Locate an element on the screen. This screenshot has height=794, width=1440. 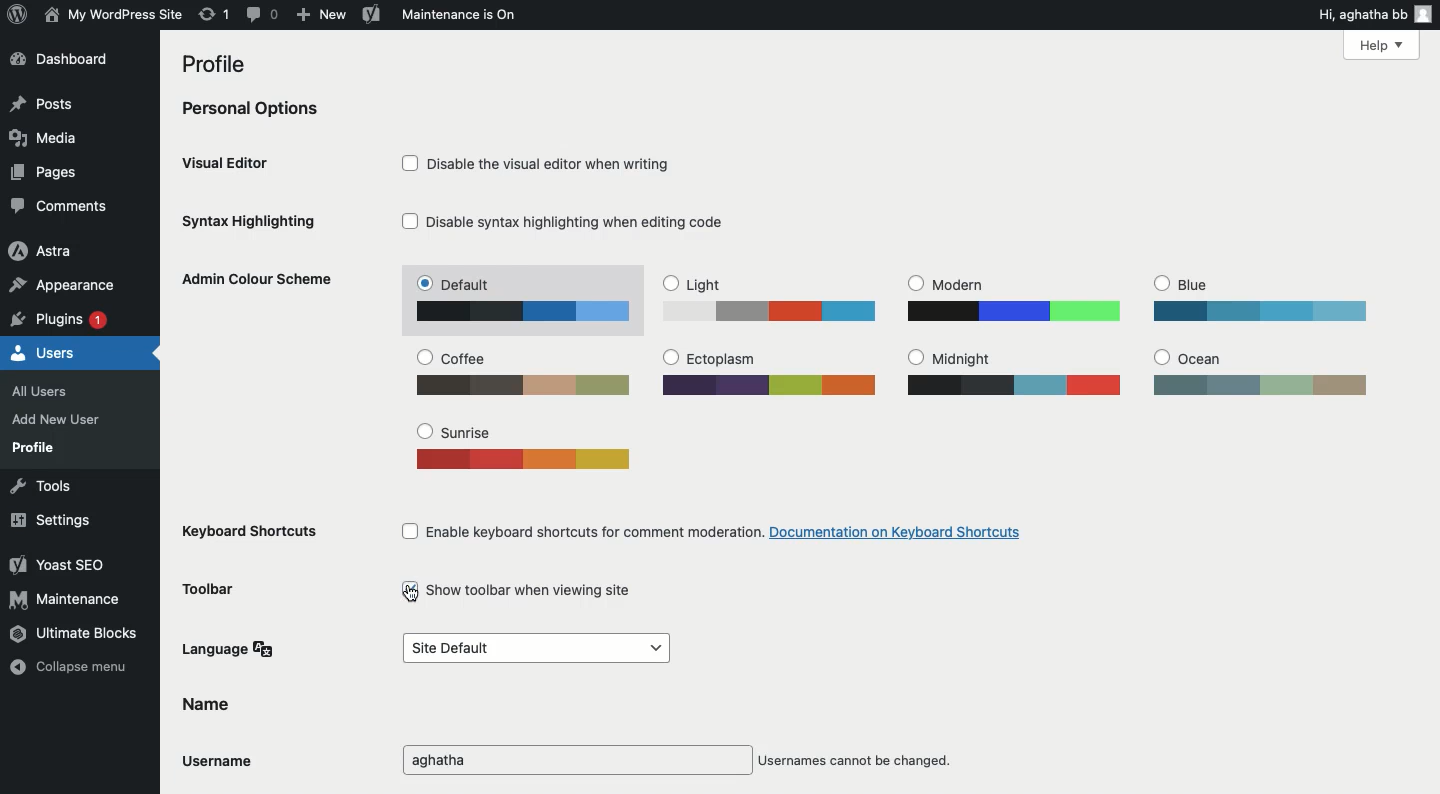
Blue is located at coordinates (1262, 298).